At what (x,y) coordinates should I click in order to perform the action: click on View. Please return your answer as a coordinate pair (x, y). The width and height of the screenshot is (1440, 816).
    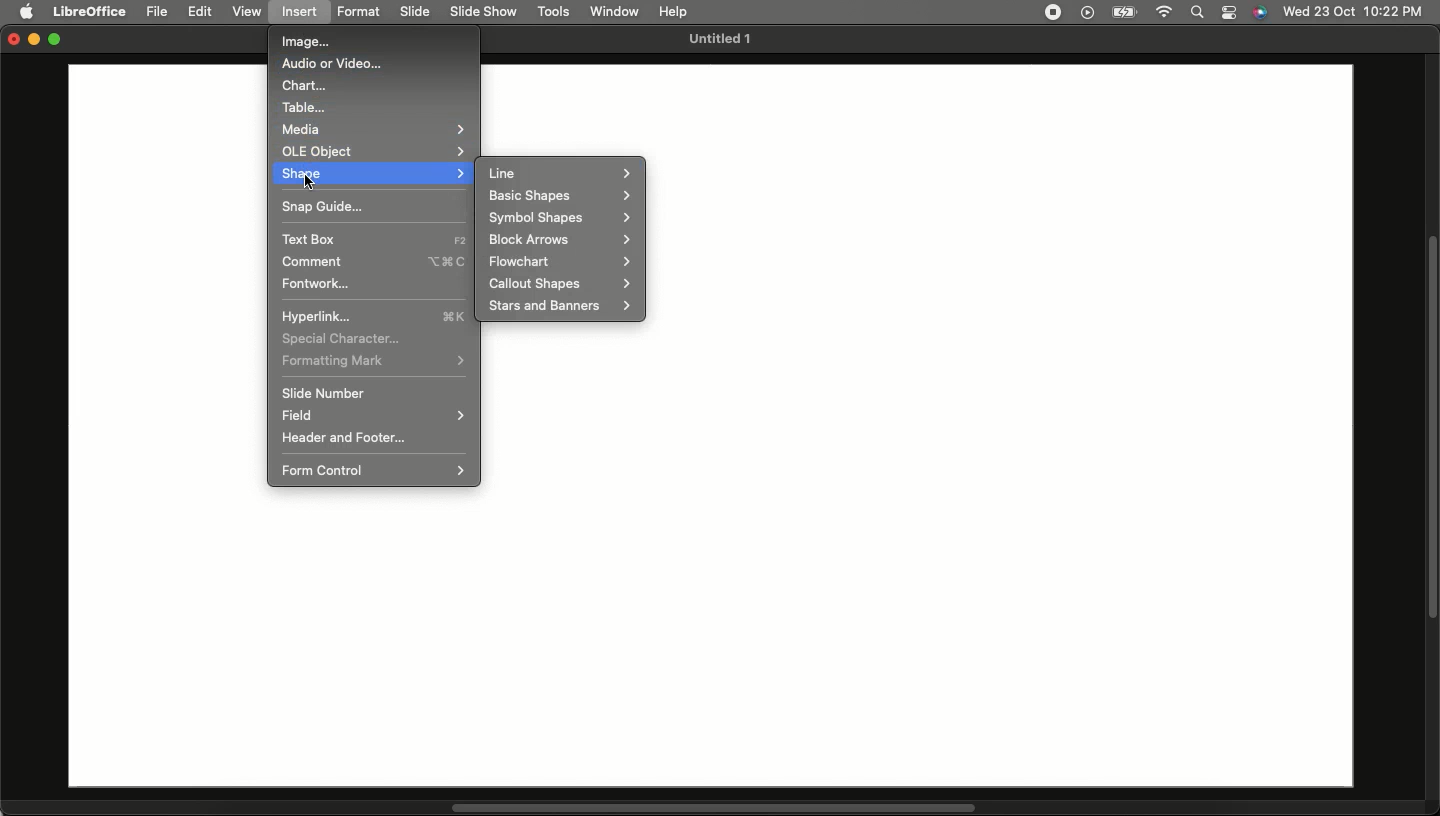
    Looking at the image, I should click on (248, 12).